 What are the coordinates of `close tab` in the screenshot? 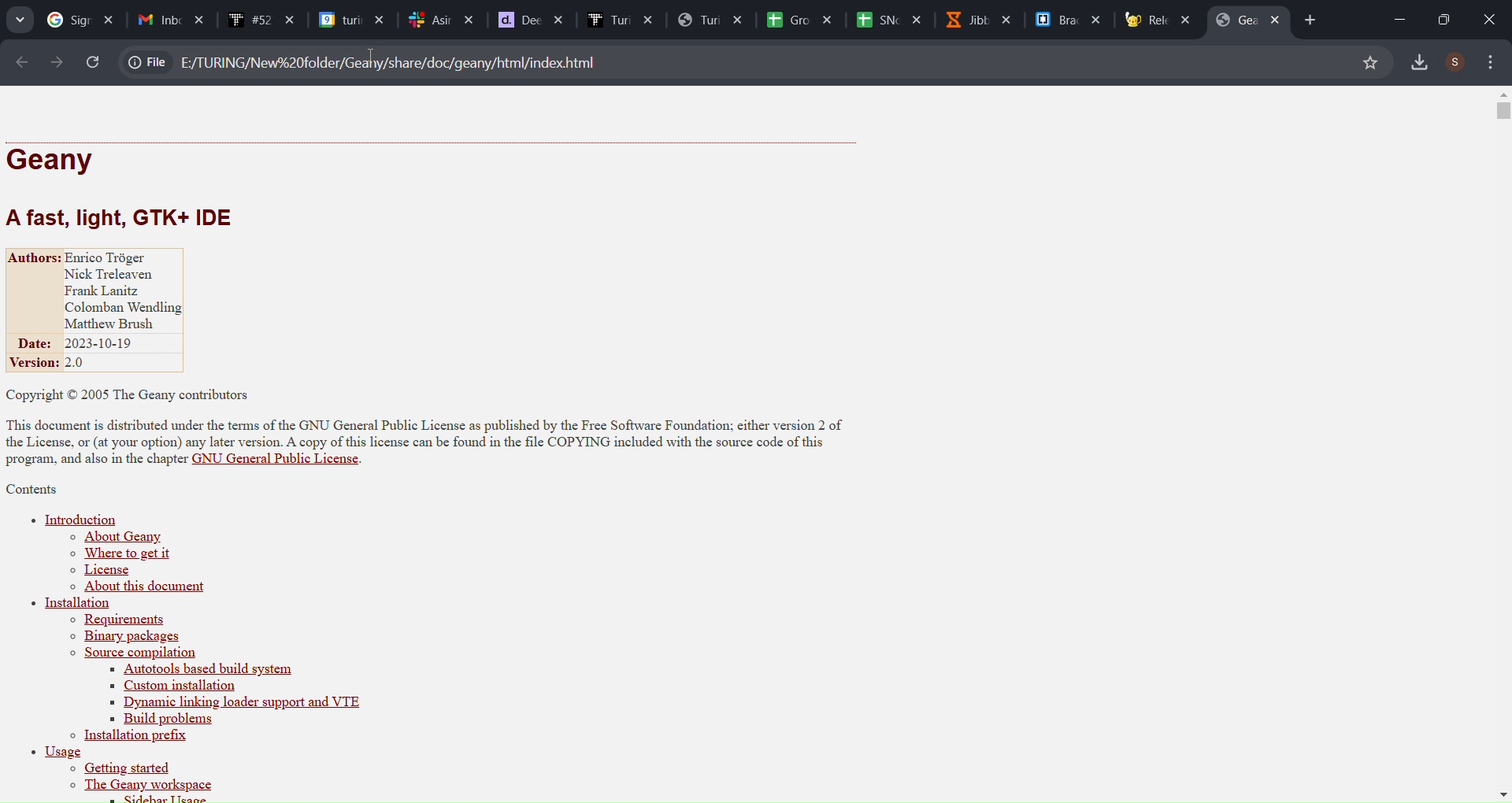 It's located at (1280, 20).